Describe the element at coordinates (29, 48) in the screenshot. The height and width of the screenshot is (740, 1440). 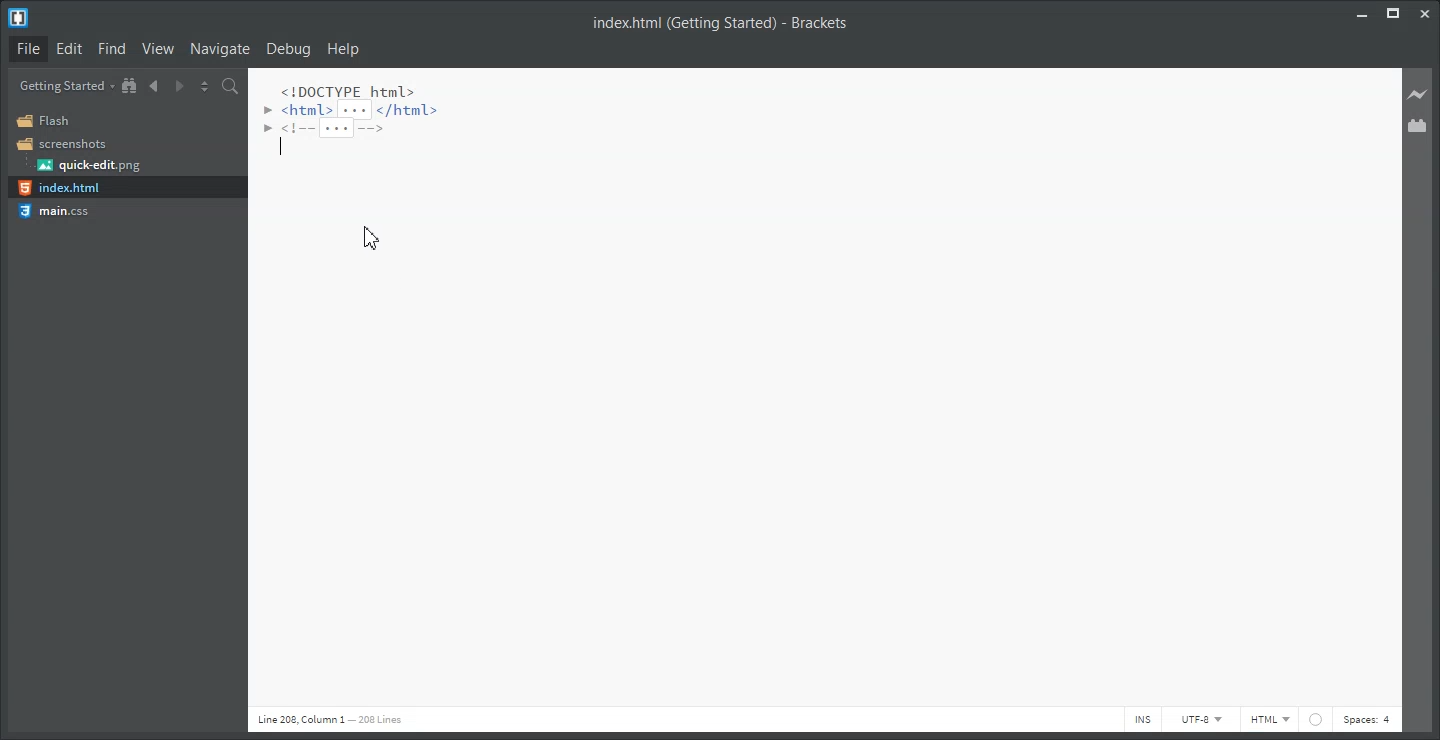
I see `File` at that location.